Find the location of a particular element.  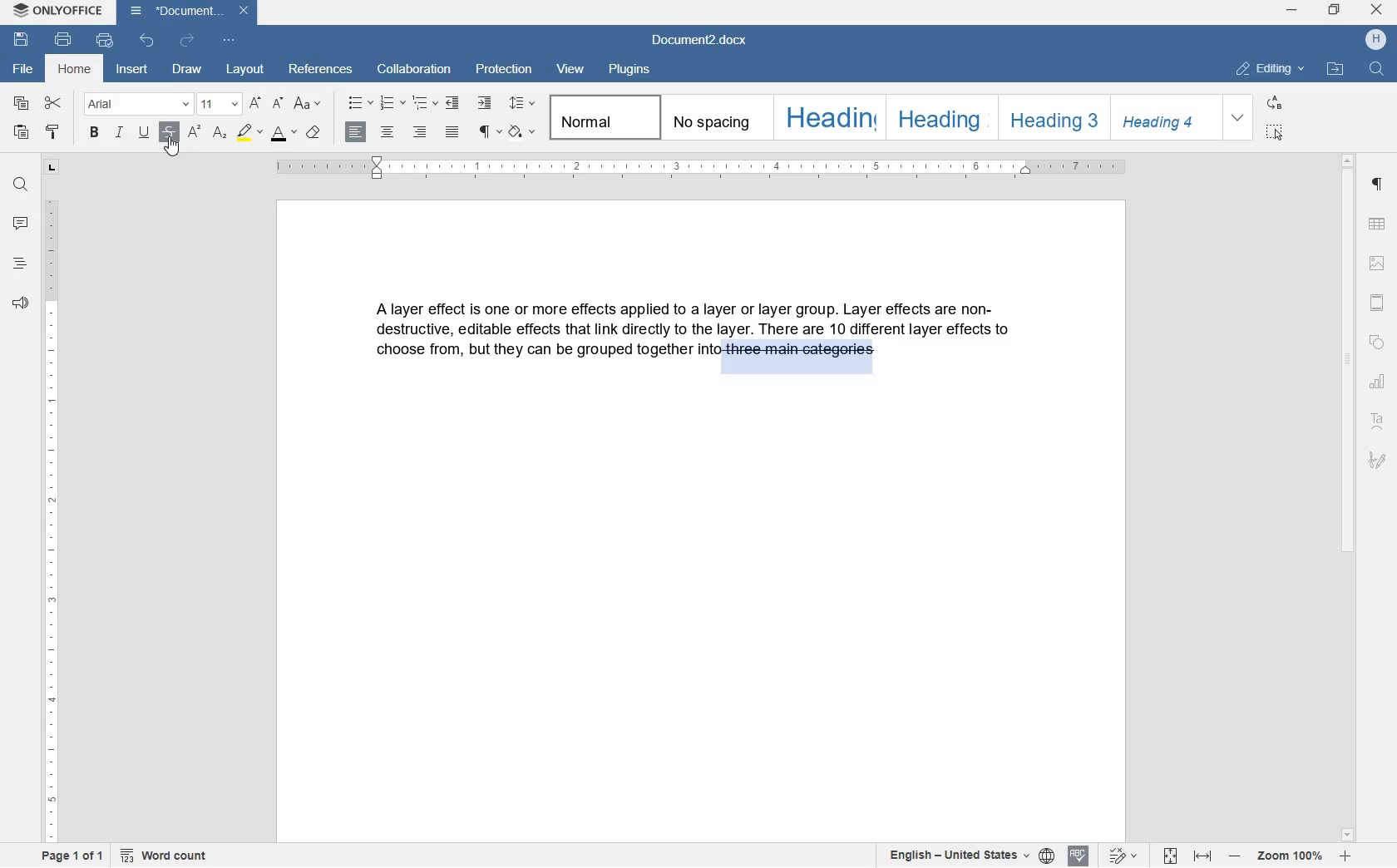

CURSOR is located at coordinates (172, 148).